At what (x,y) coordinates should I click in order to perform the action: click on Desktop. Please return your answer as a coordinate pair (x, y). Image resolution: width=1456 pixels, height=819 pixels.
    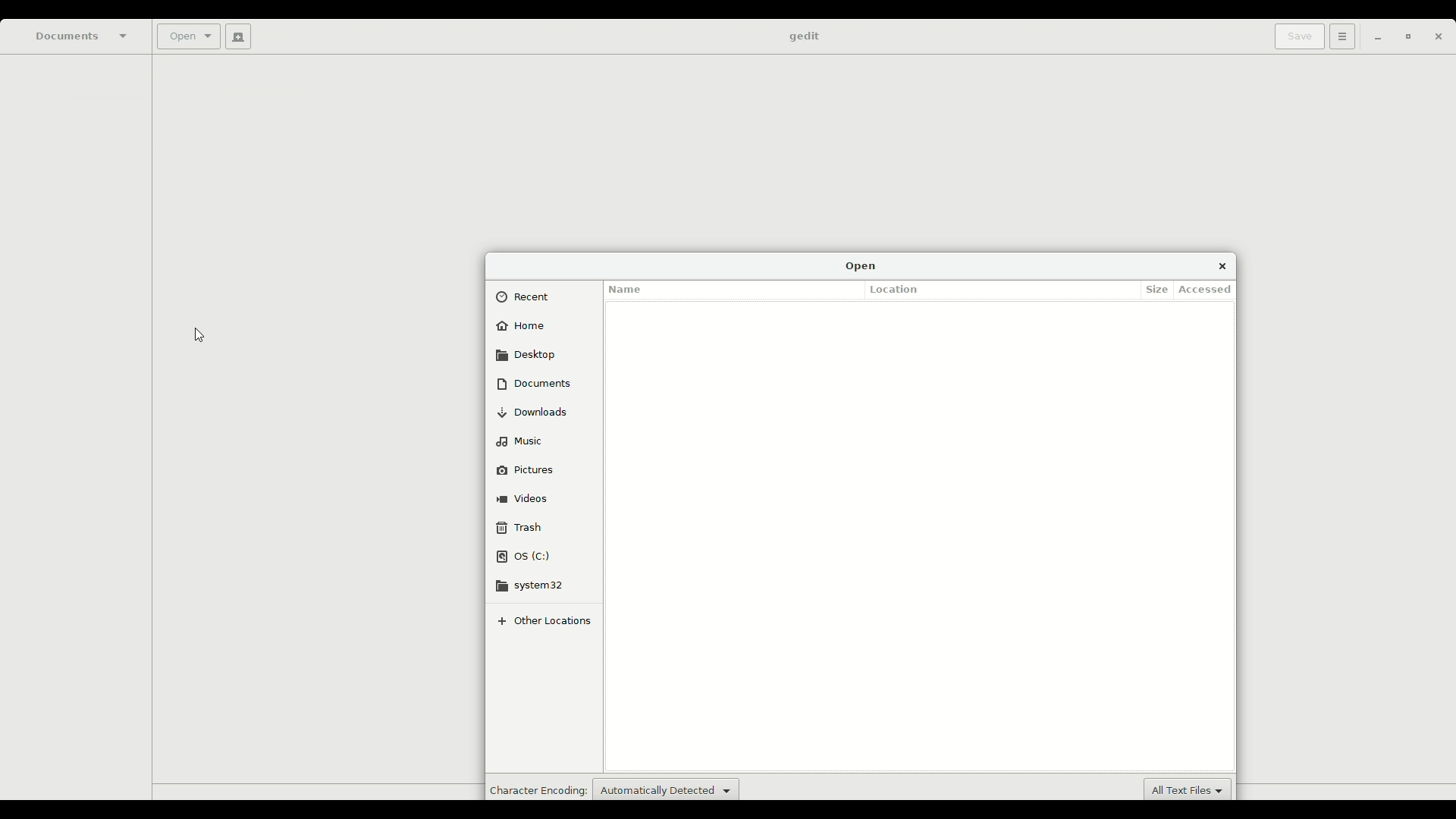
    Looking at the image, I should click on (528, 354).